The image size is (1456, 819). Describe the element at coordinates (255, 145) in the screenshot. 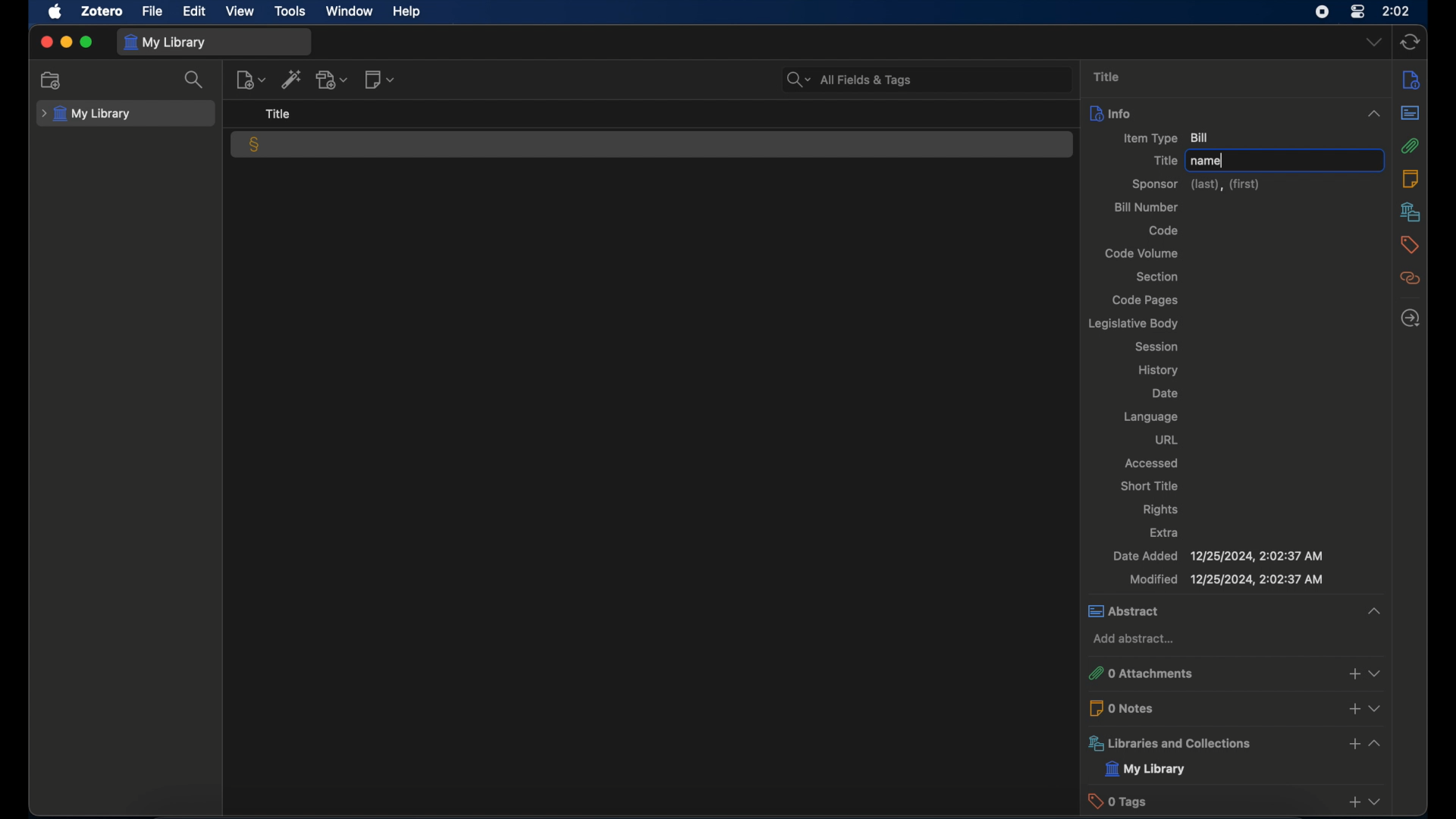

I see `bill` at that location.